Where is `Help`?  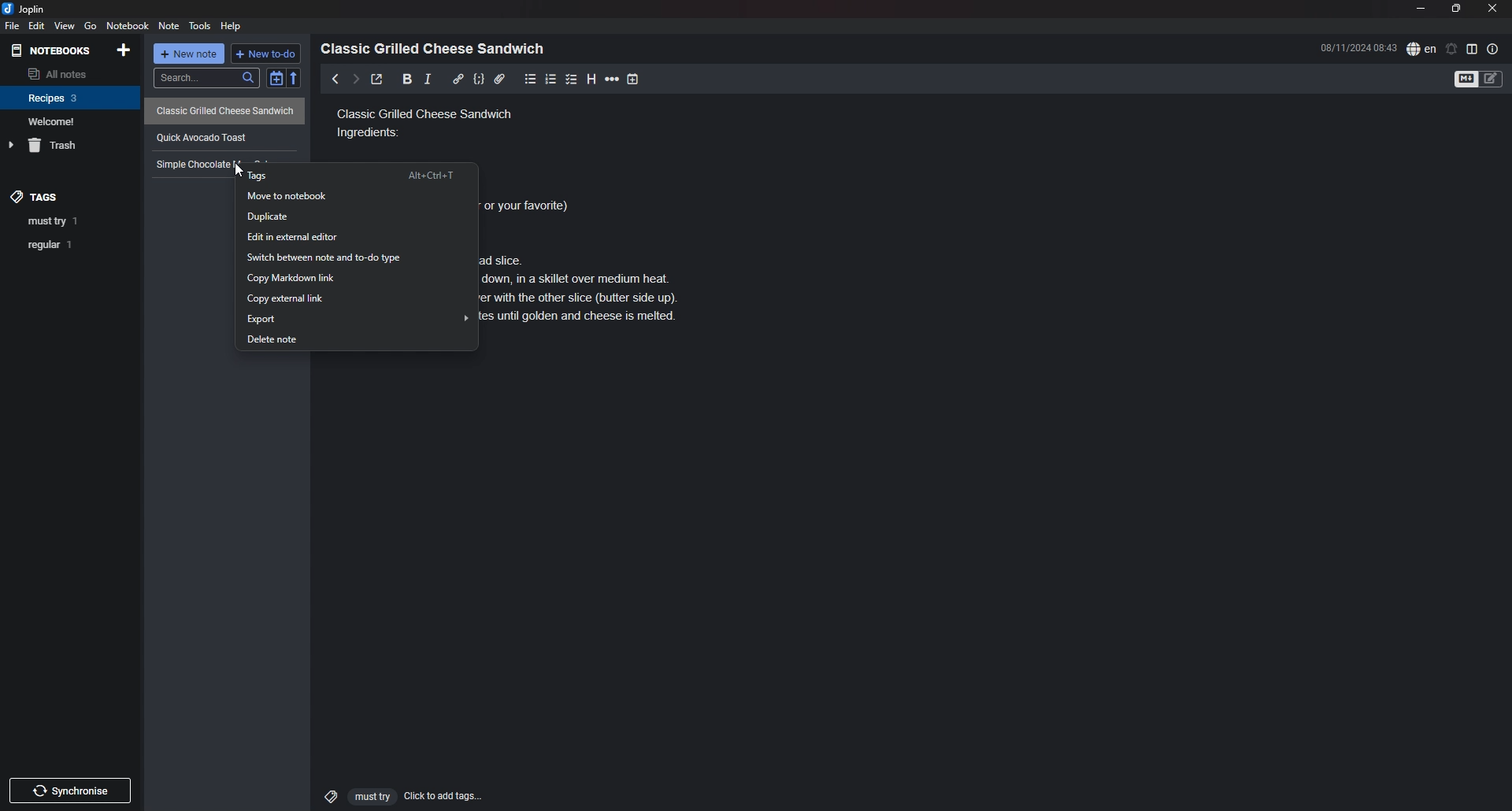 Help is located at coordinates (232, 25).